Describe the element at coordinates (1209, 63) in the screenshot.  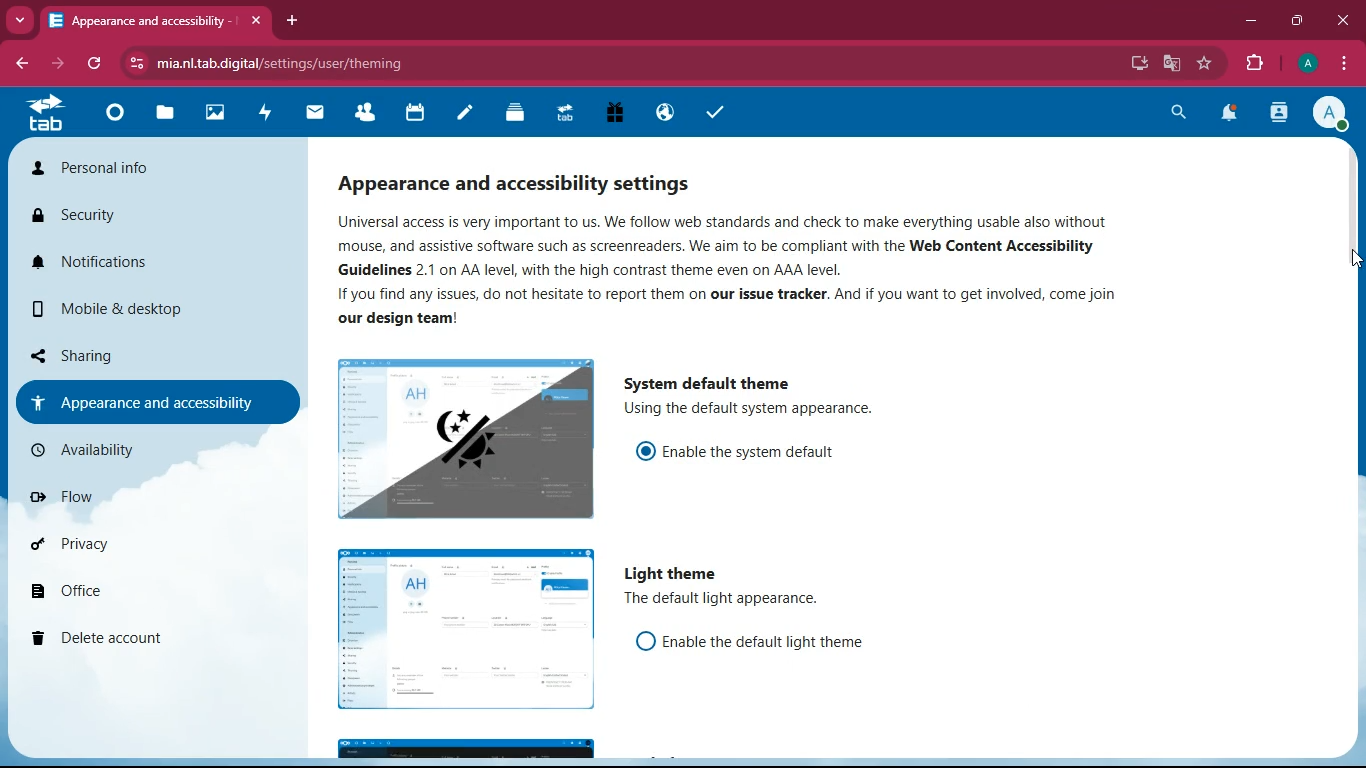
I see `favourite` at that location.